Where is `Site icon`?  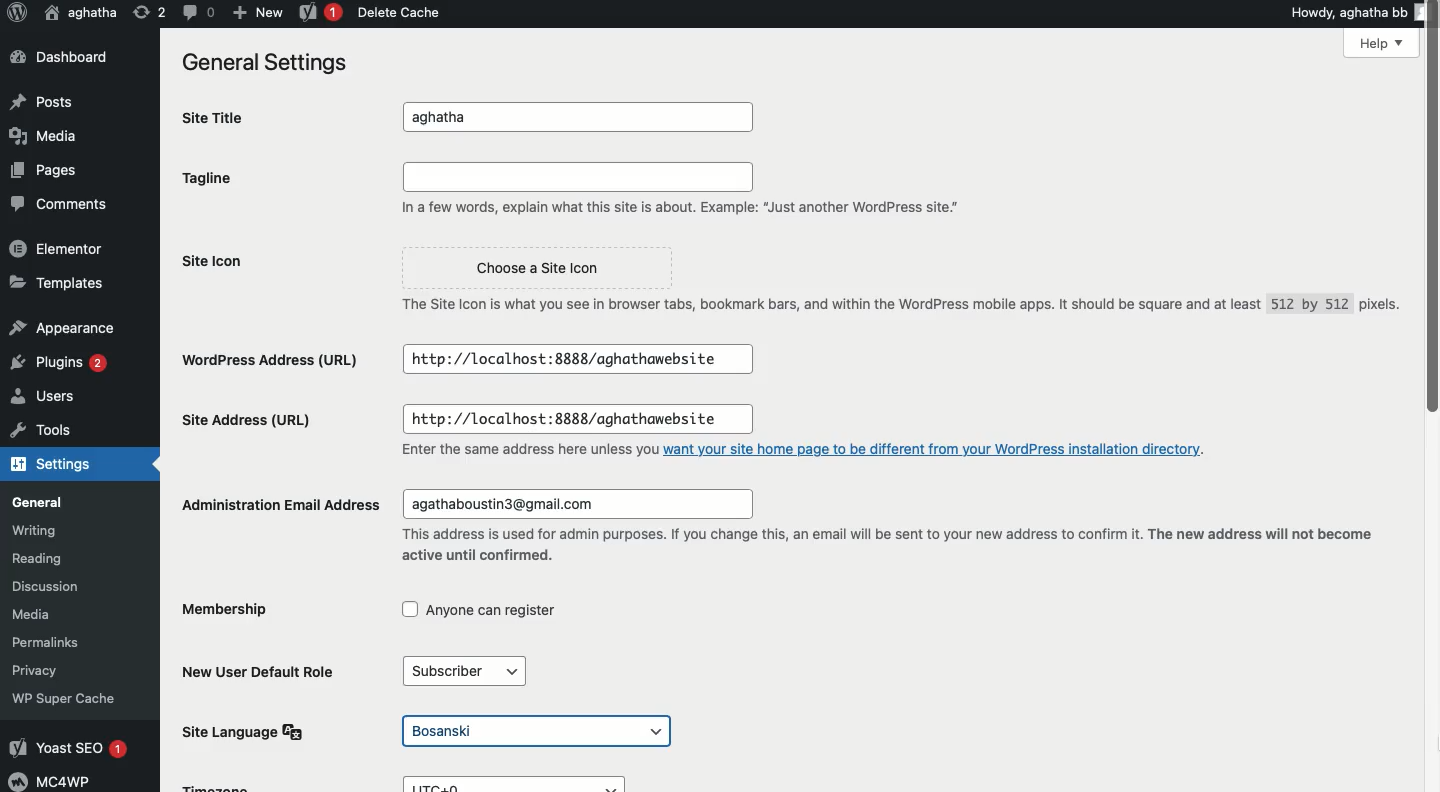
Site icon is located at coordinates (219, 261).